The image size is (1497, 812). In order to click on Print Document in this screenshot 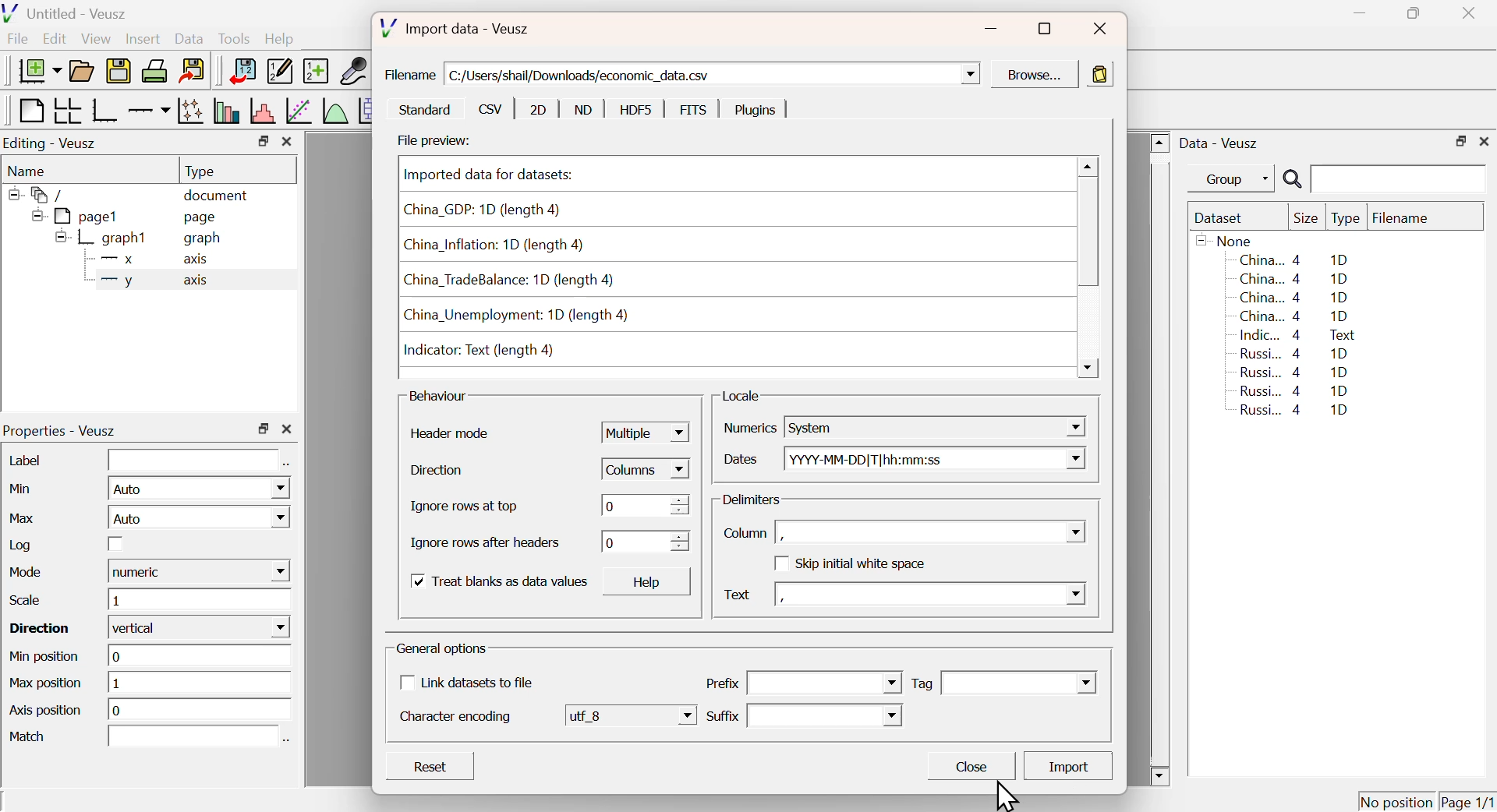, I will do `click(154, 70)`.